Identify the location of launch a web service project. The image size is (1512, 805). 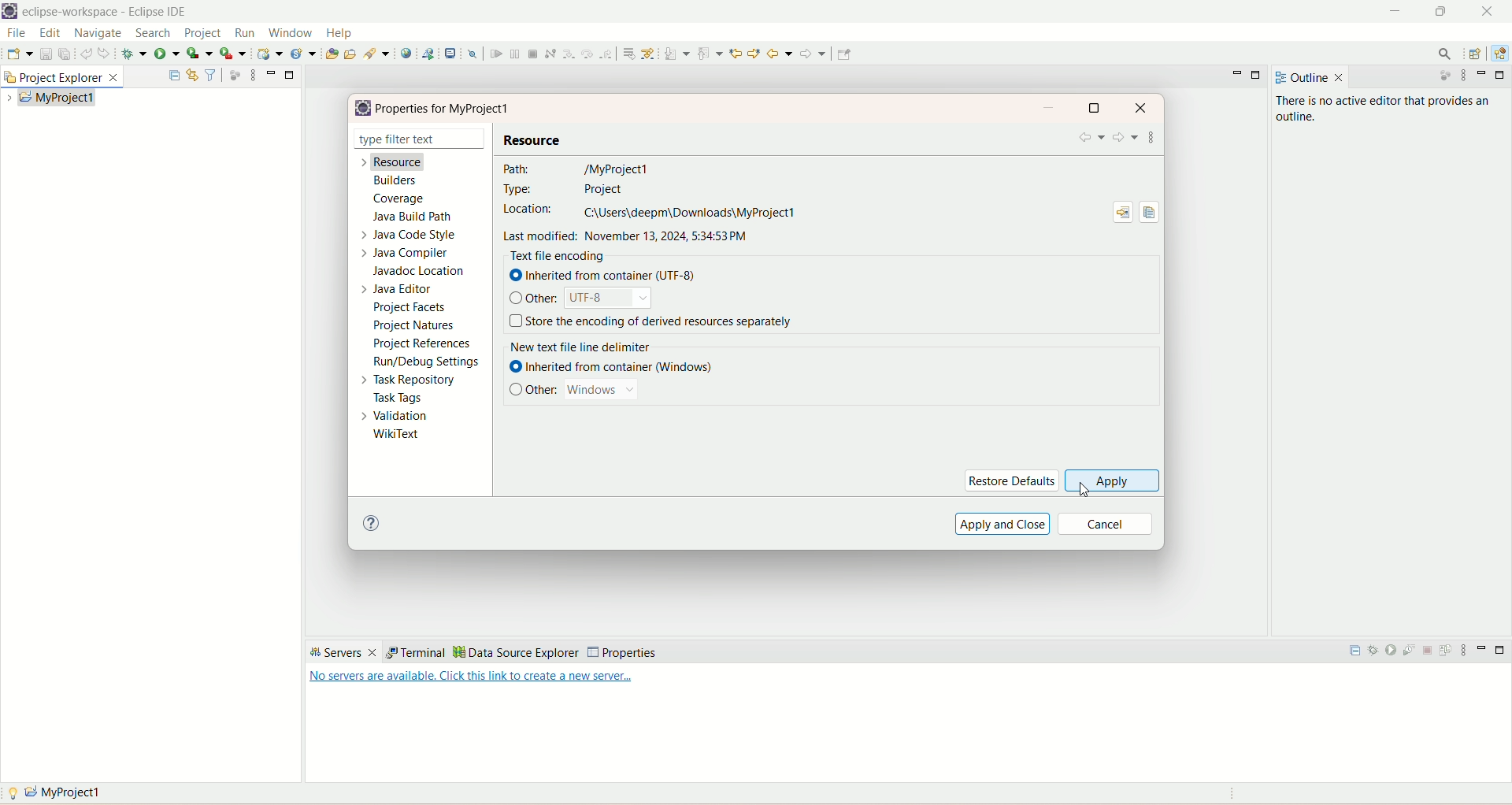
(432, 53).